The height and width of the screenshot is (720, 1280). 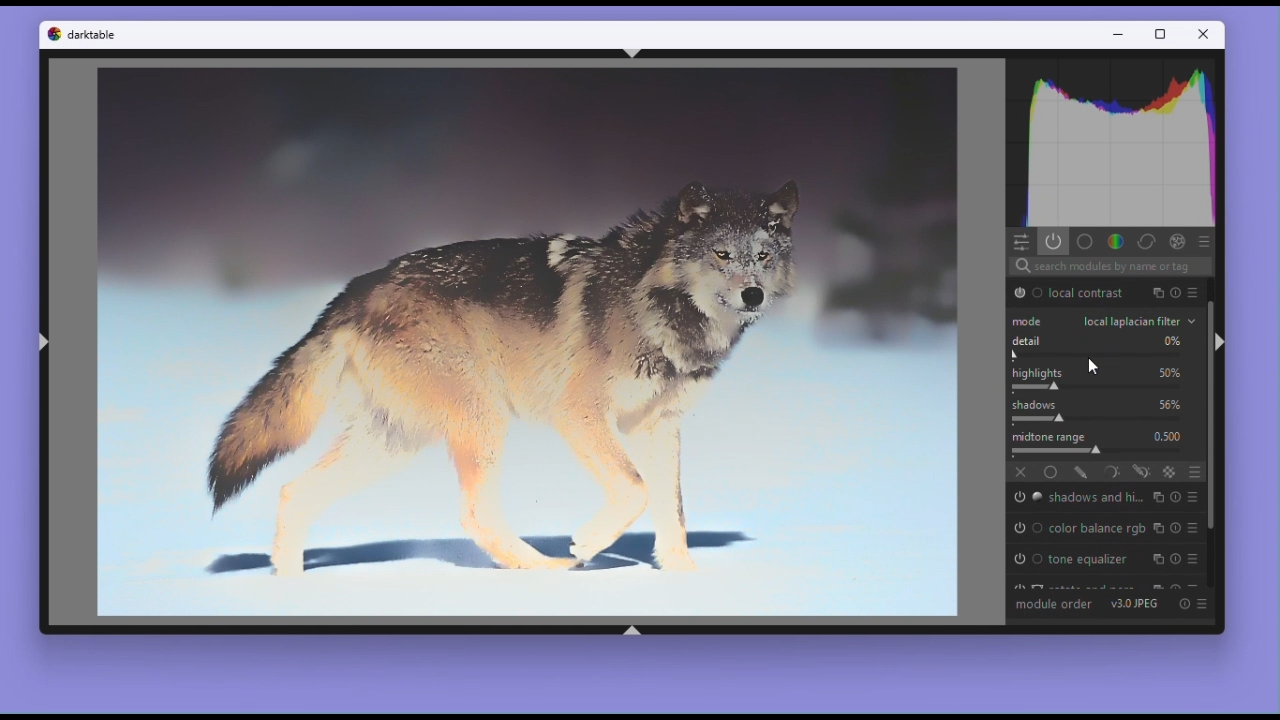 What do you see at coordinates (1107, 403) in the screenshot?
I see `Shadows 56%` at bounding box center [1107, 403].